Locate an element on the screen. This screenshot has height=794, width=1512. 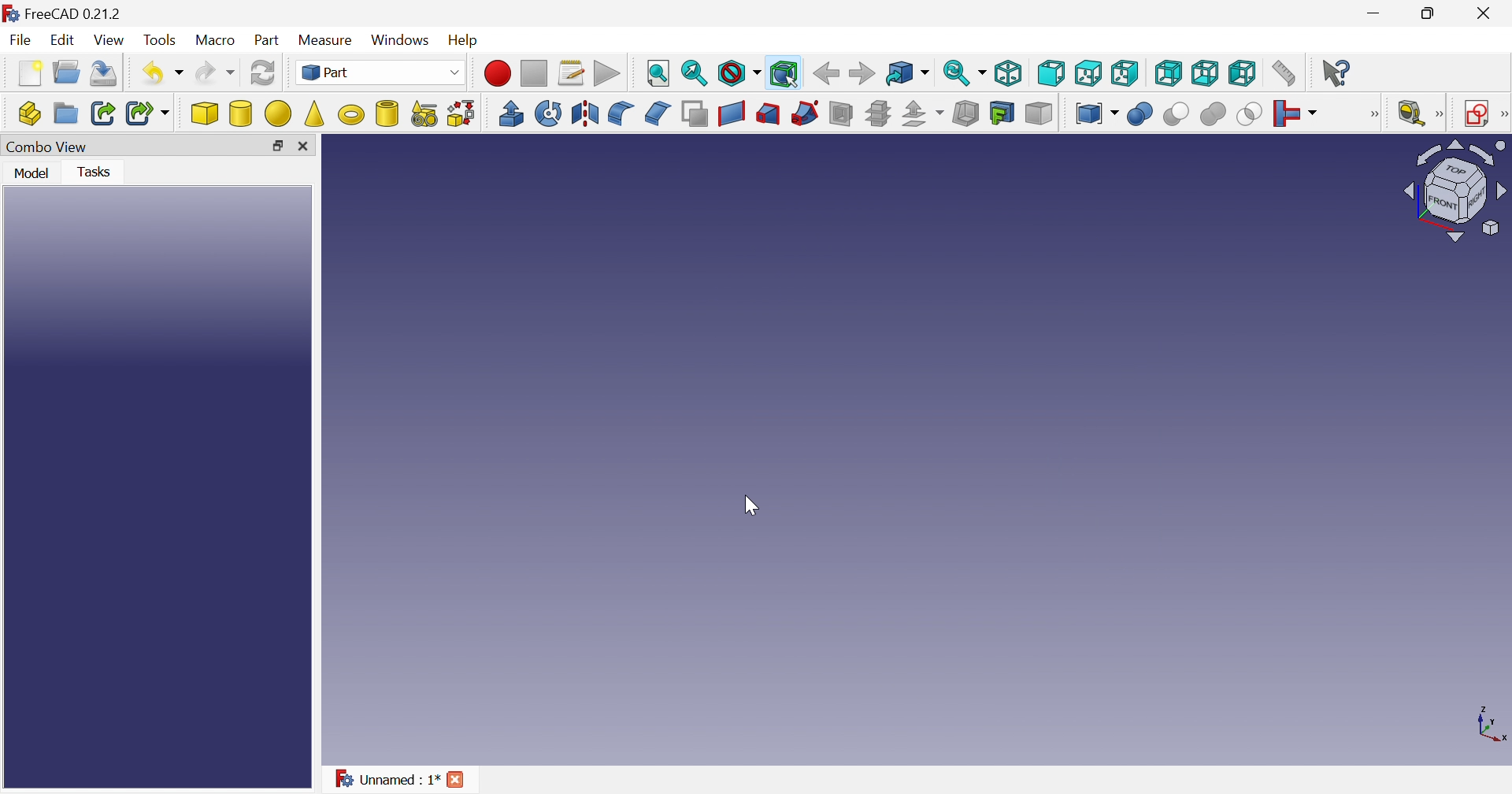
Measure distance is located at coordinates (1285, 74).